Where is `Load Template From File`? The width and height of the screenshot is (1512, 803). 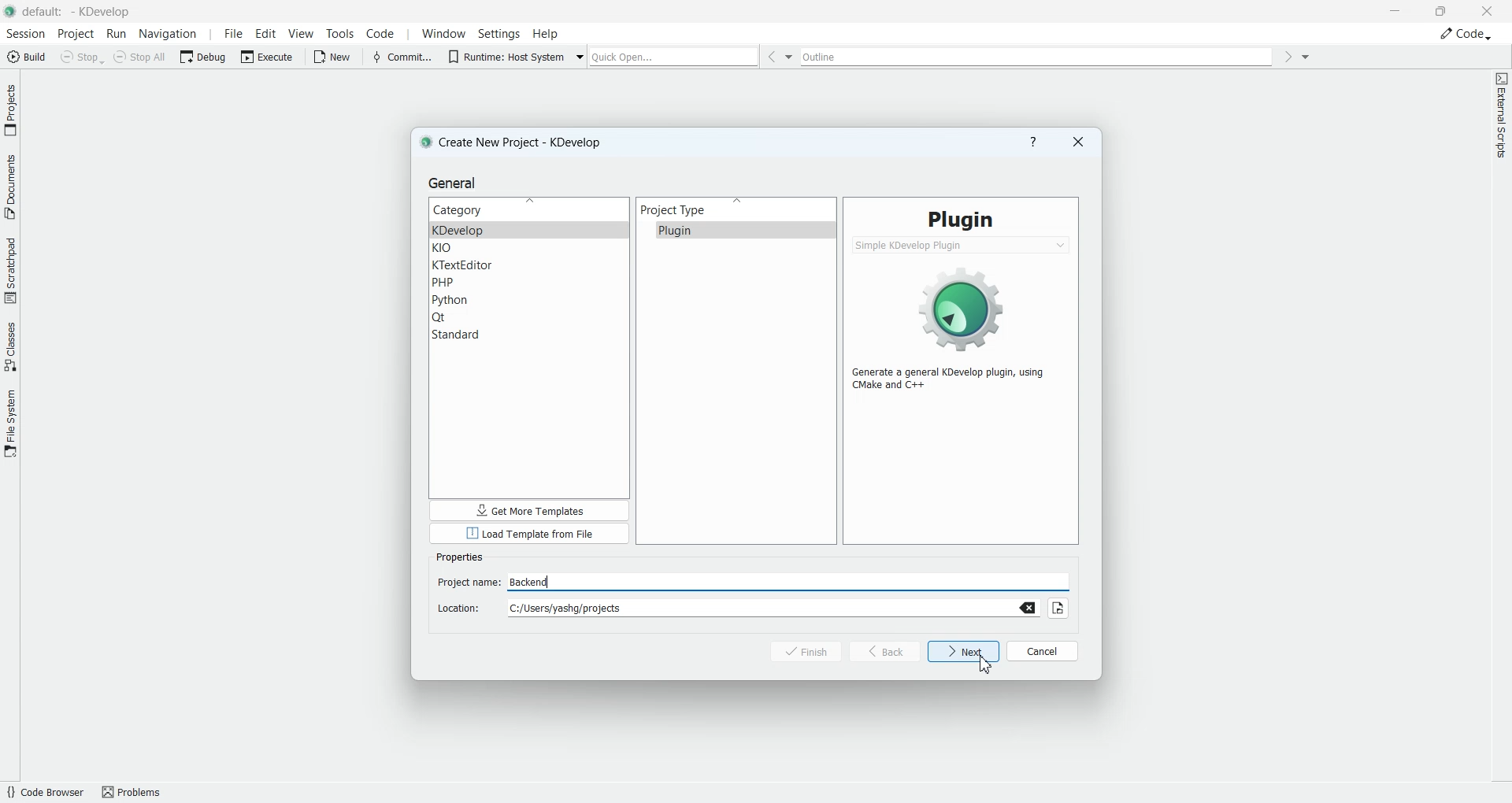 Load Template From File is located at coordinates (528, 533).